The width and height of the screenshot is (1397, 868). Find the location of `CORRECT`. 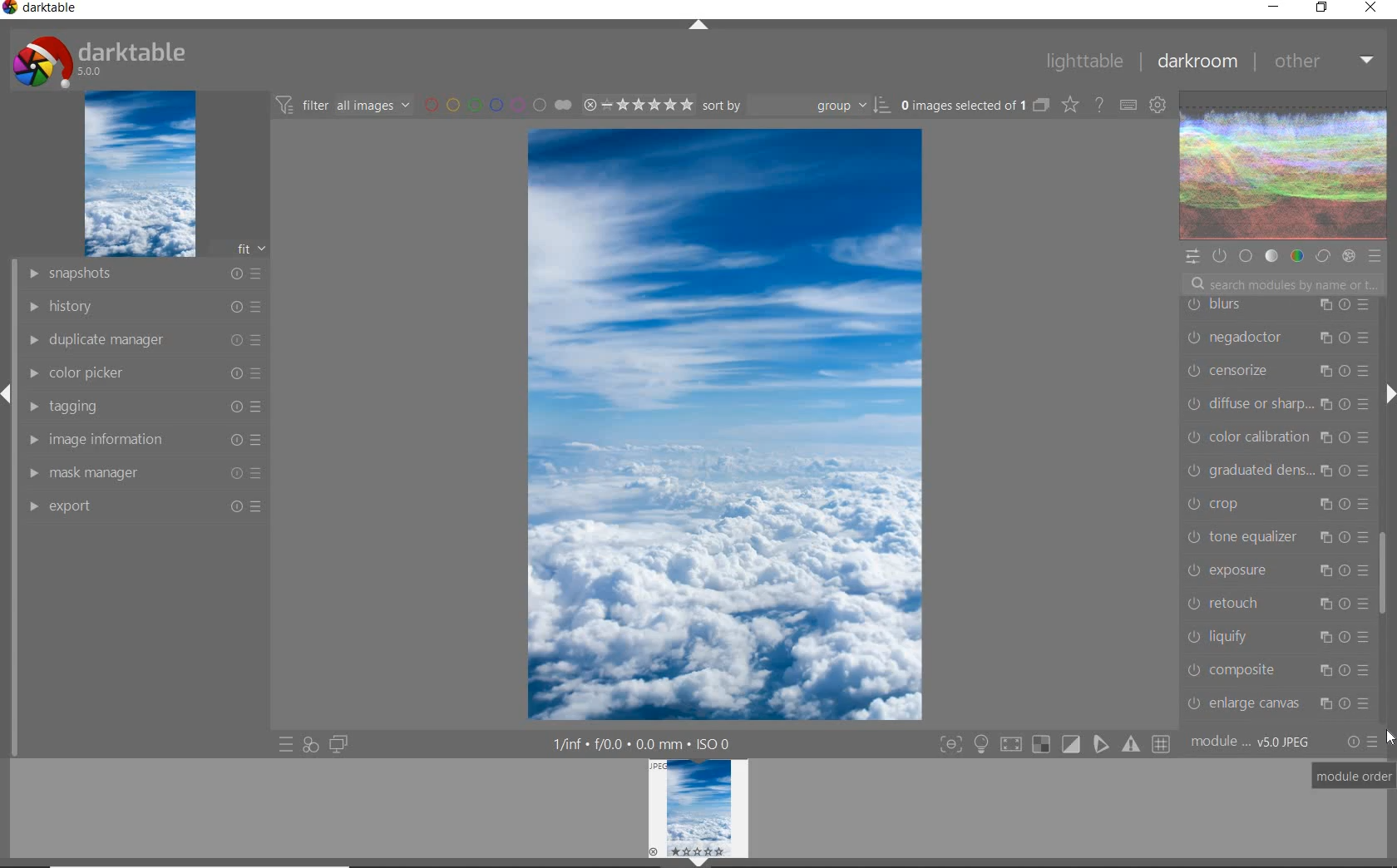

CORRECT is located at coordinates (1322, 255).